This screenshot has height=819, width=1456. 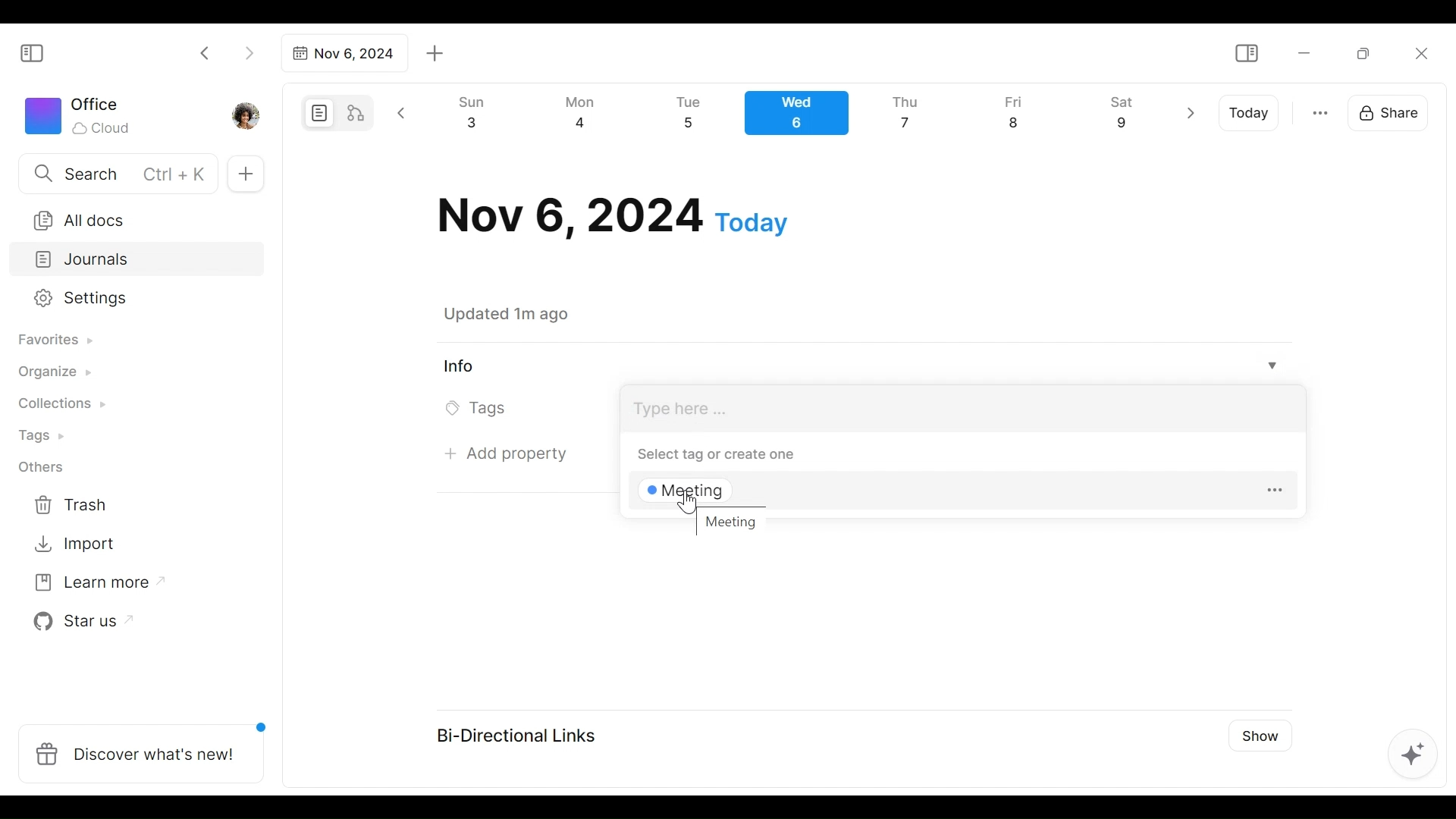 I want to click on Tab, so click(x=342, y=53).